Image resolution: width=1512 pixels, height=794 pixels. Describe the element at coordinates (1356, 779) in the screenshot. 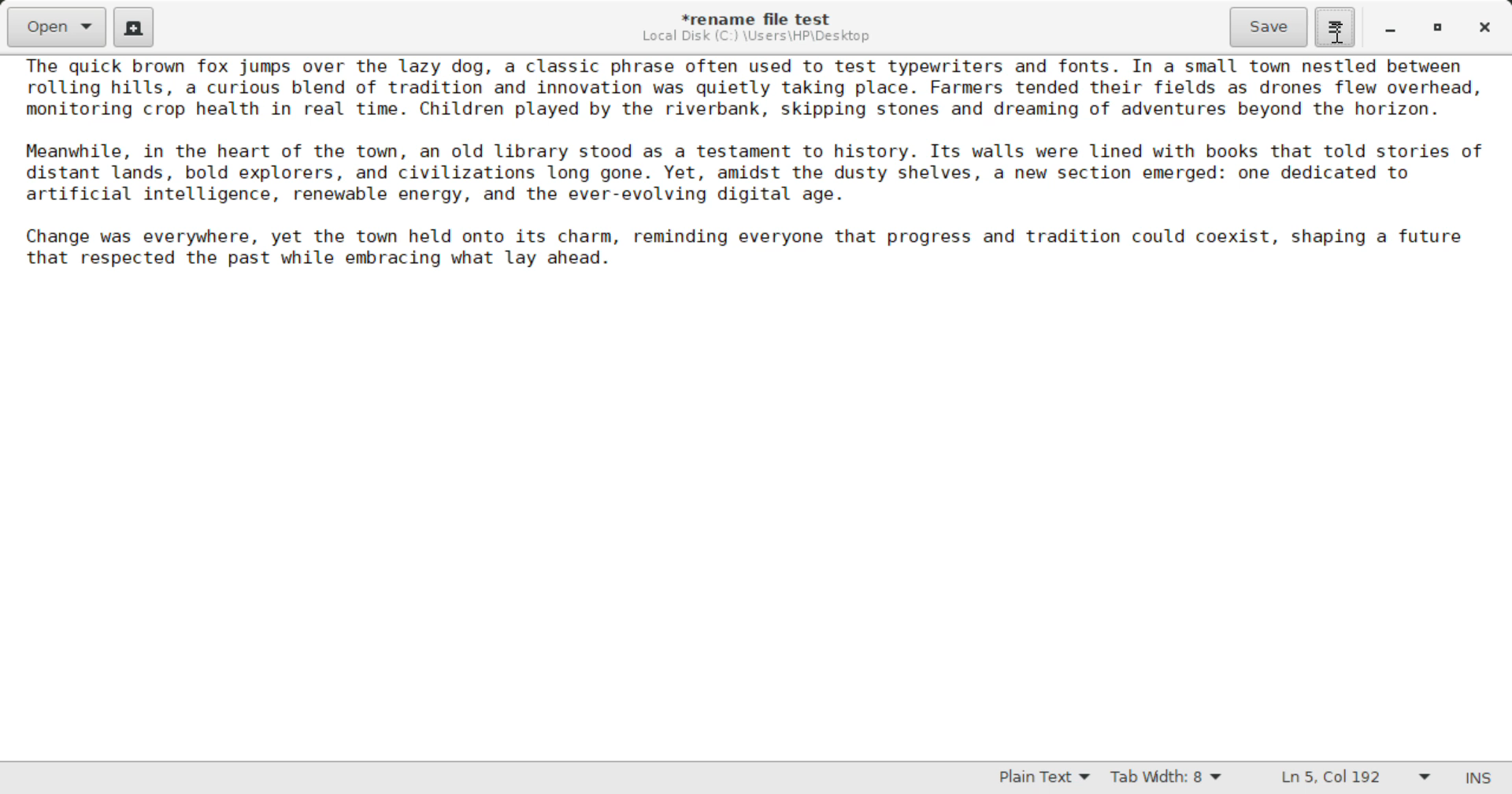

I see `Line & Character Count` at that location.